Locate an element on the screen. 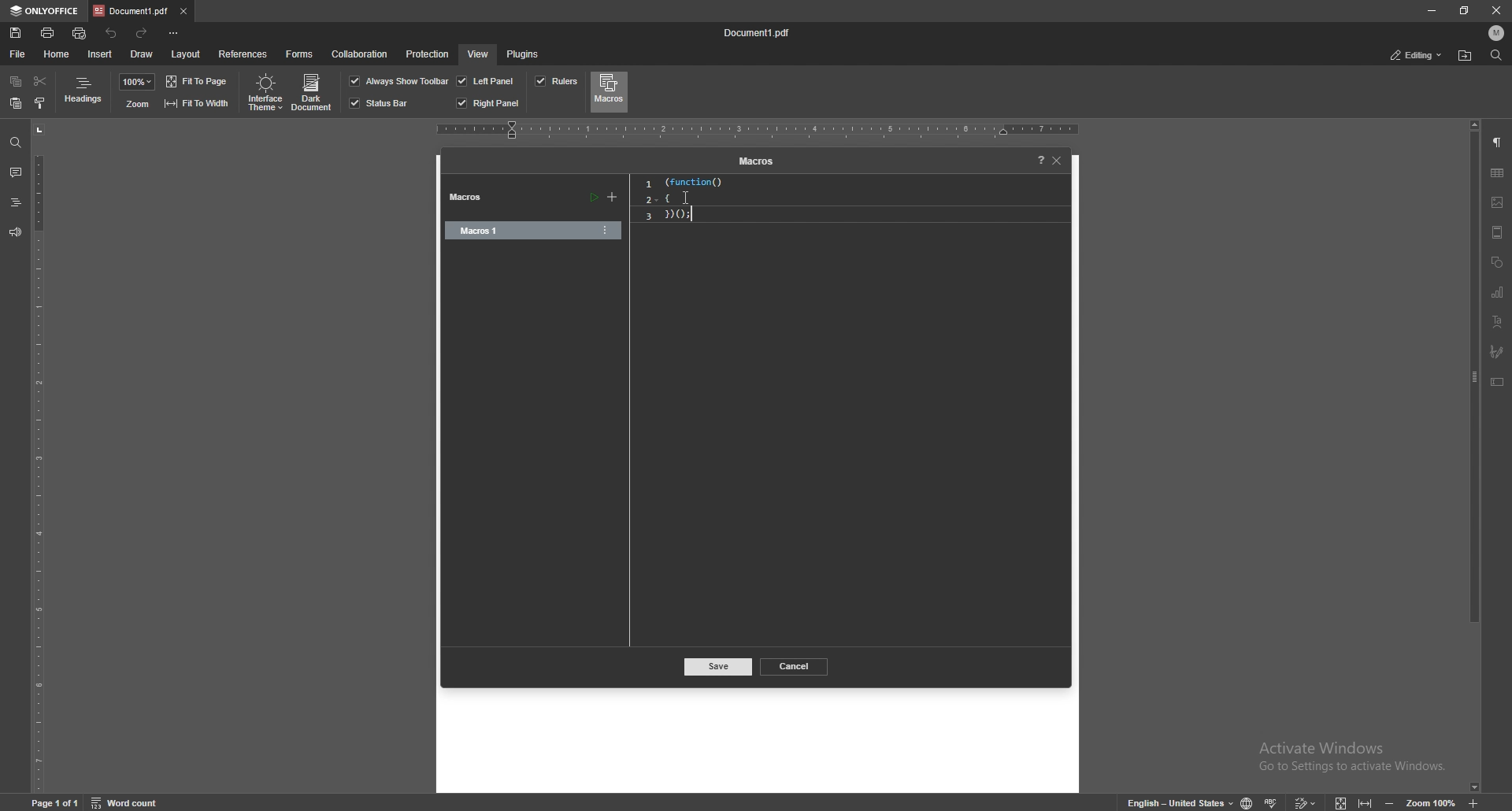  view is located at coordinates (477, 54).